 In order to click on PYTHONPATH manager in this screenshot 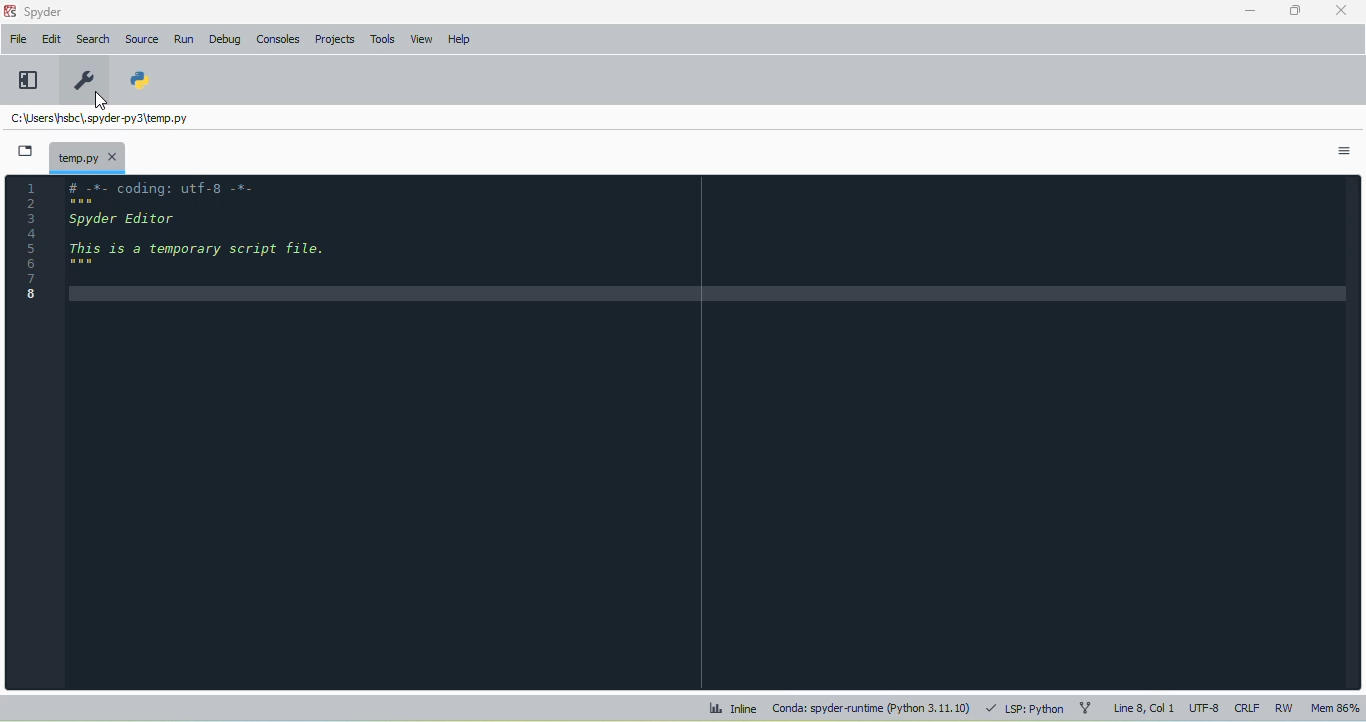, I will do `click(138, 79)`.